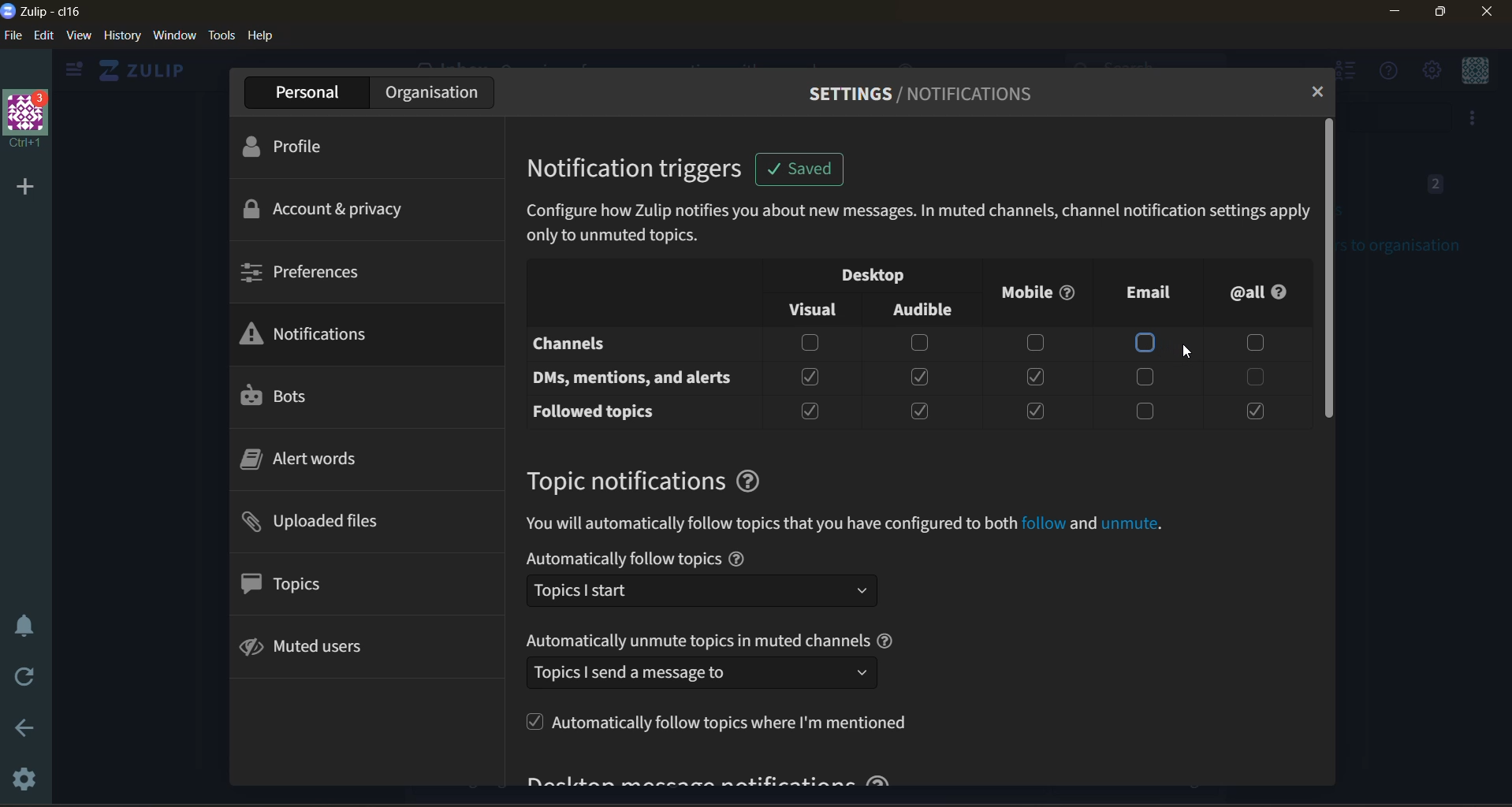  Describe the element at coordinates (811, 377) in the screenshot. I see `checkbox` at that location.